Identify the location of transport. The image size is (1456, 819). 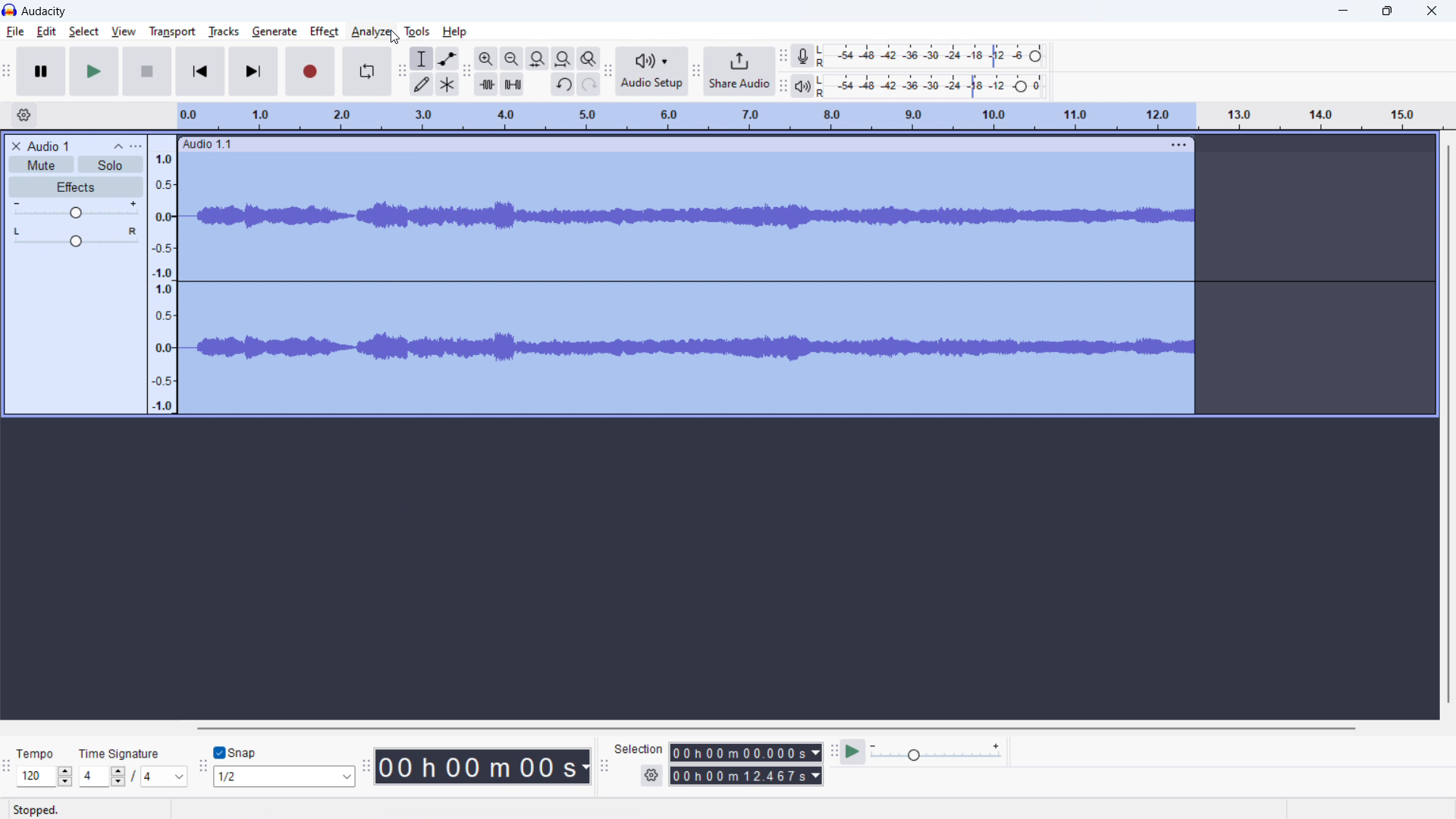
(173, 32).